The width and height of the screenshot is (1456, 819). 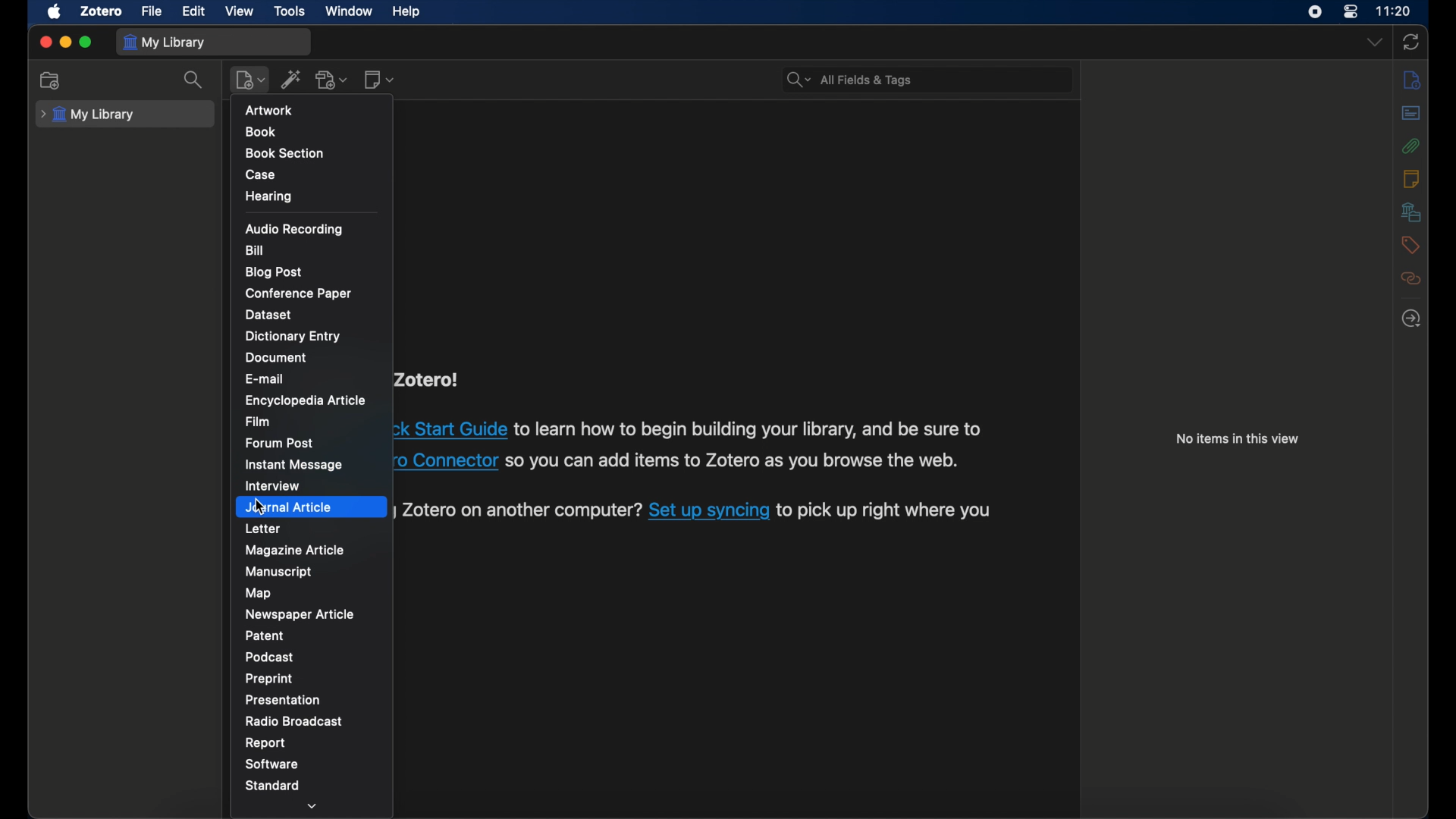 What do you see at coordinates (379, 80) in the screenshot?
I see `add note` at bounding box center [379, 80].